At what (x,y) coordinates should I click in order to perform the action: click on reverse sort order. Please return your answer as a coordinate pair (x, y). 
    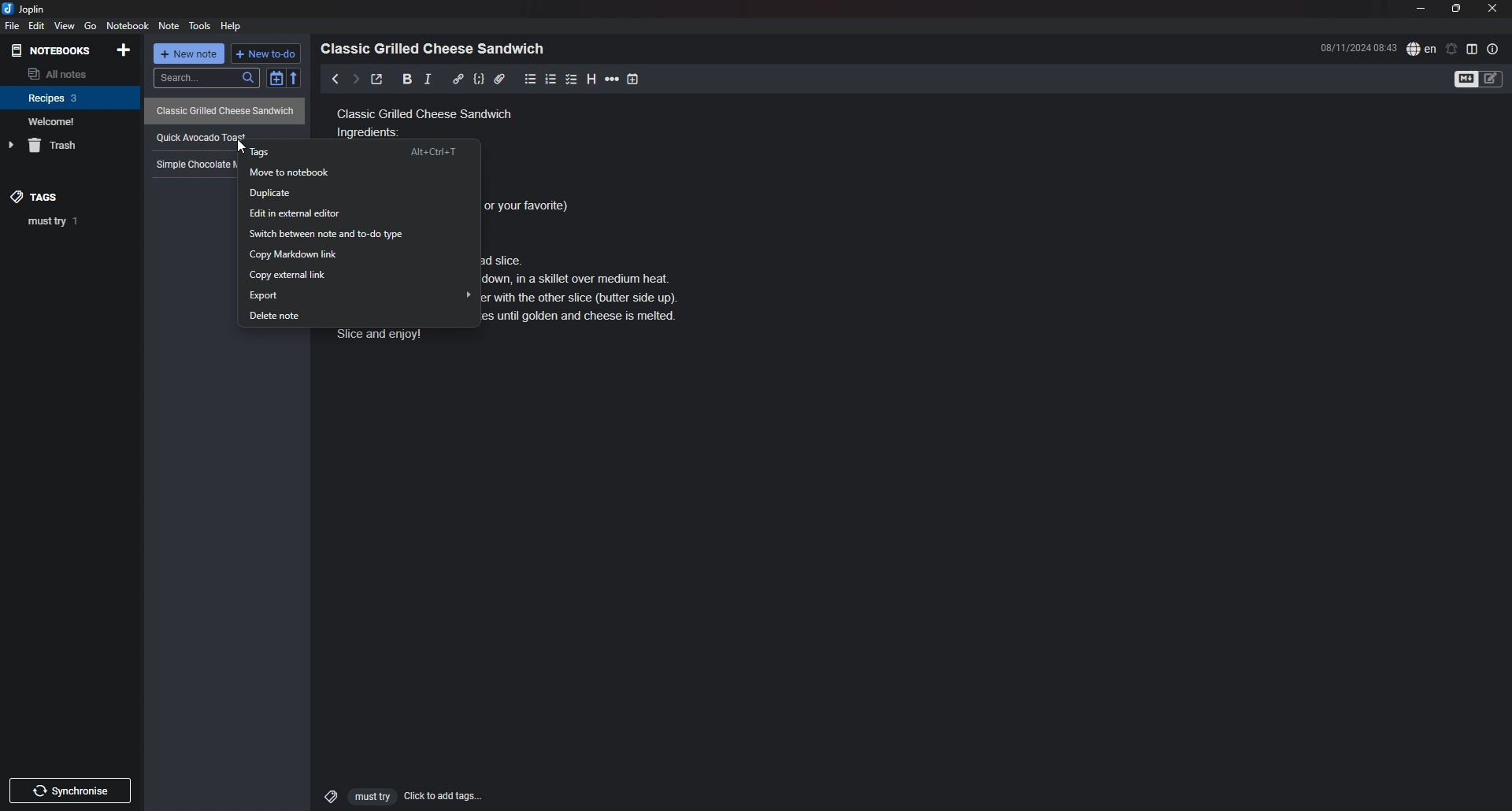
    Looking at the image, I should click on (297, 79).